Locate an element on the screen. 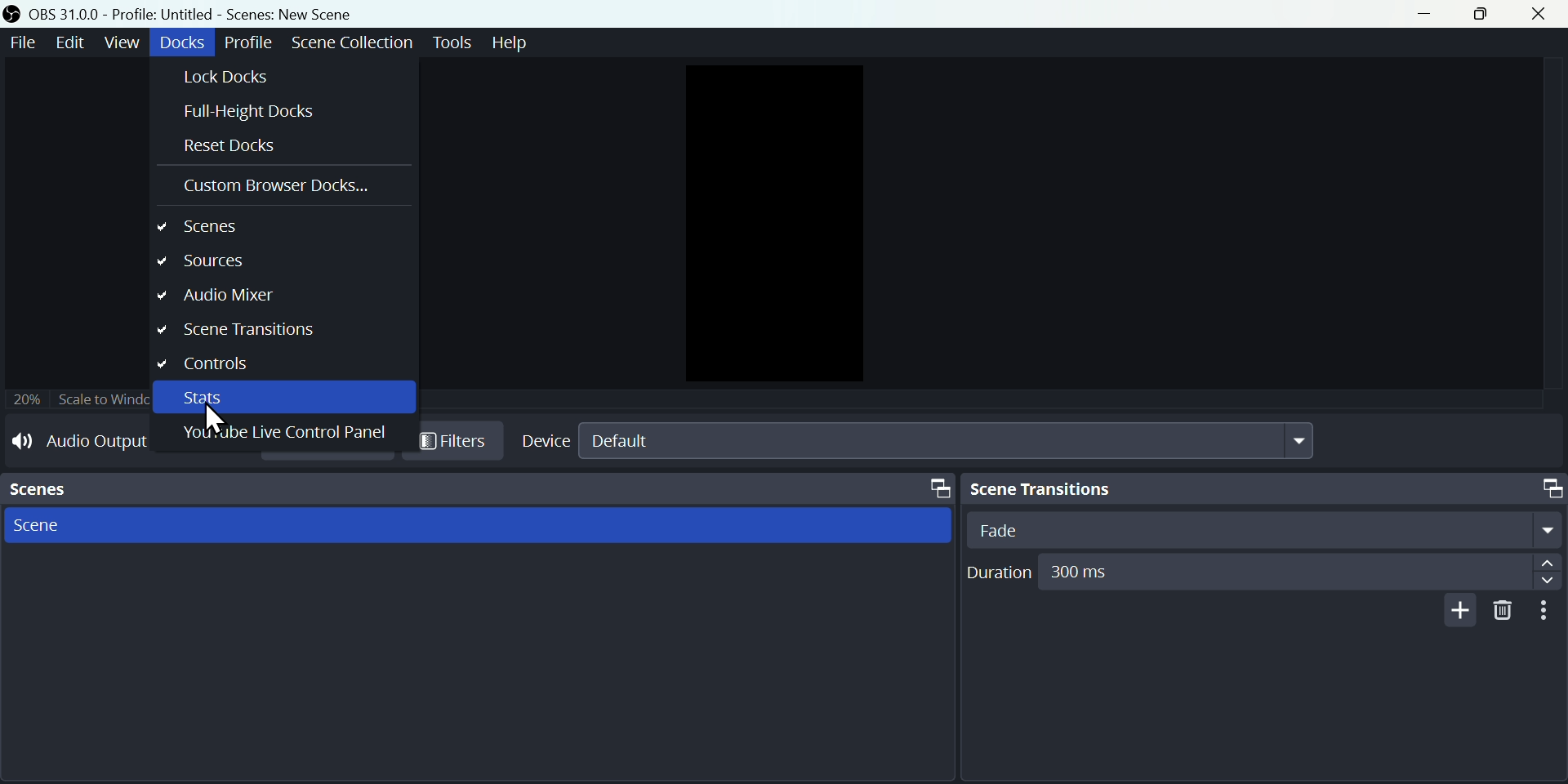 The height and width of the screenshot is (784, 1568). OBS 31.0.0 - Profile. Untitled - Scenes. New Scene is located at coordinates (234, 13).